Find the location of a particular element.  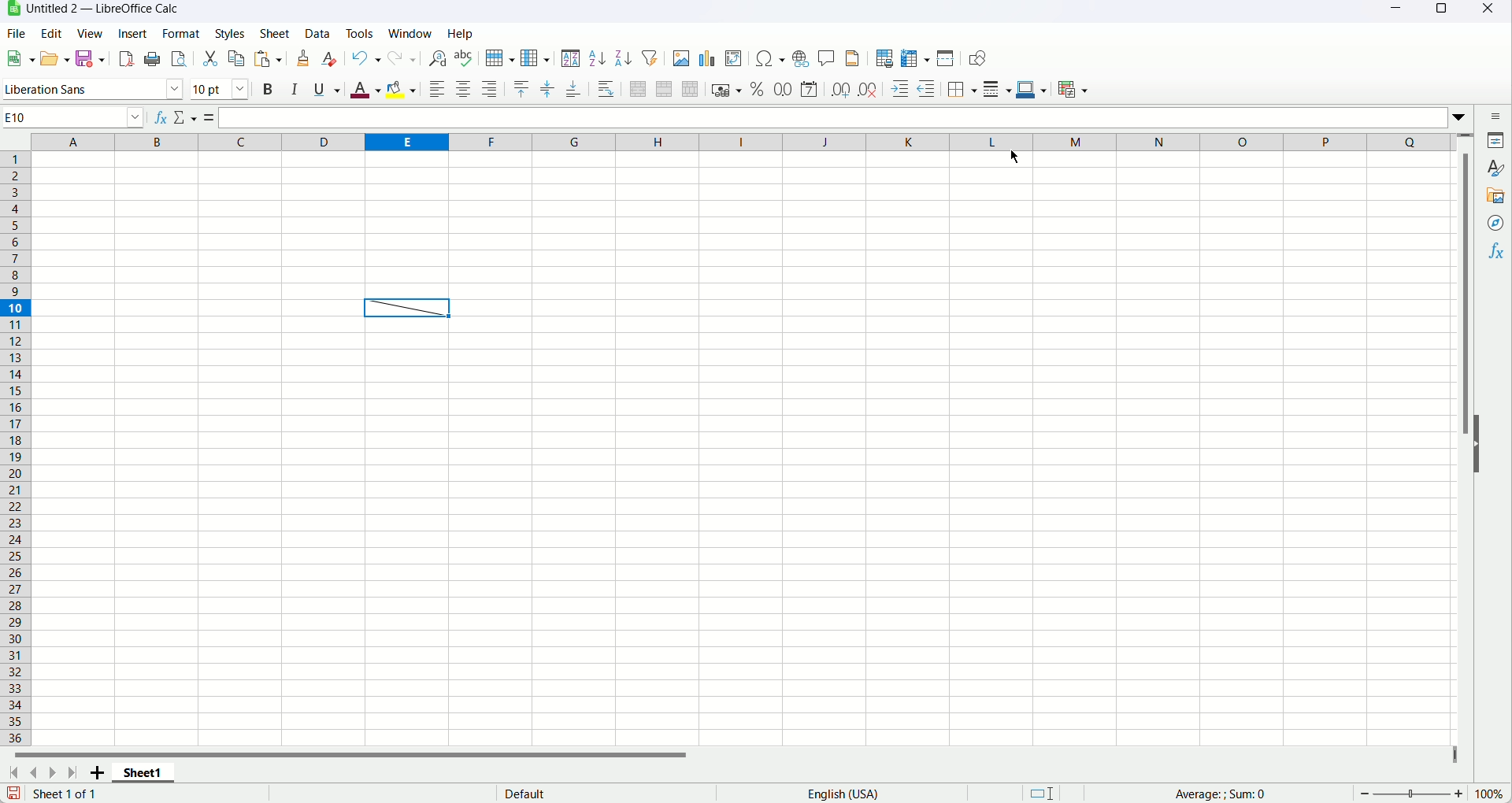

Row number is located at coordinates (17, 450).